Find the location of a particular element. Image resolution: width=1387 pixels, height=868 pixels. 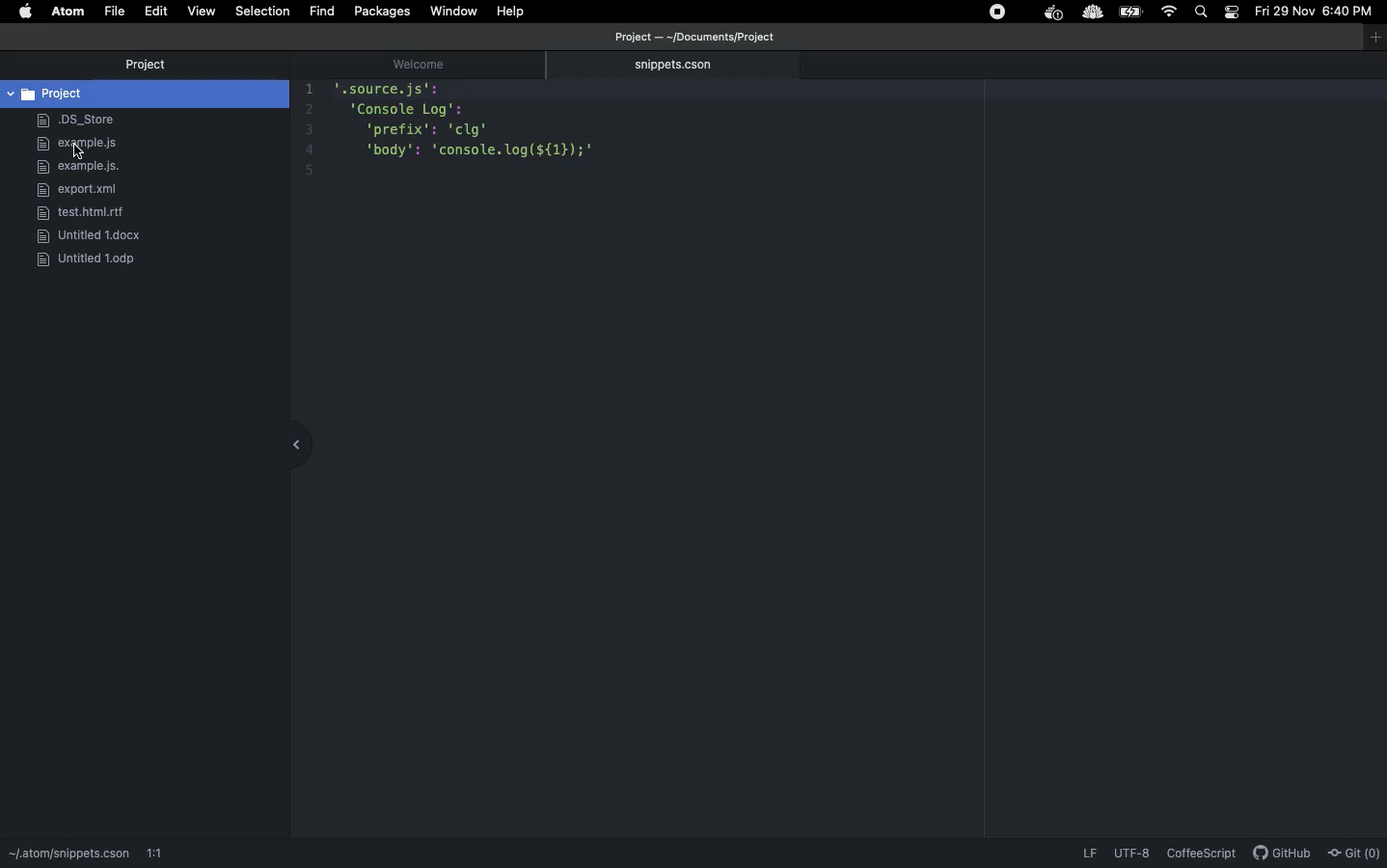

collapse is located at coordinates (295, 444).